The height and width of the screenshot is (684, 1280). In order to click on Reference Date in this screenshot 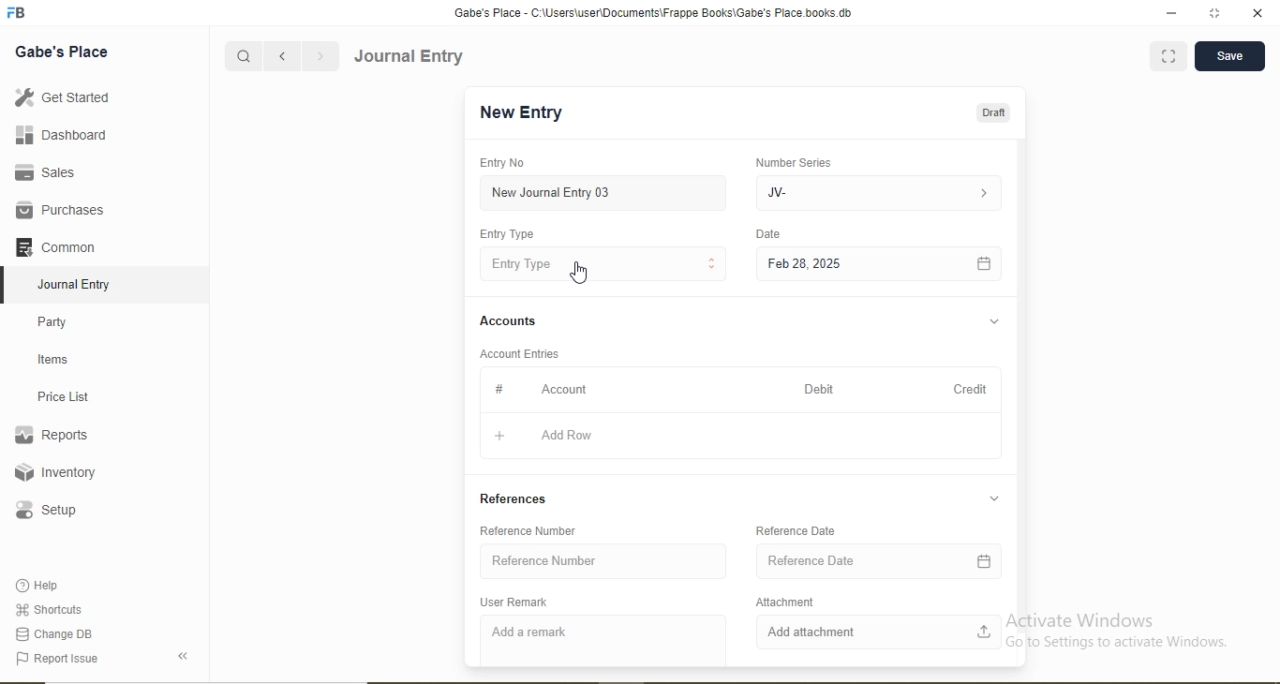, I will do `click(796, 531)`.